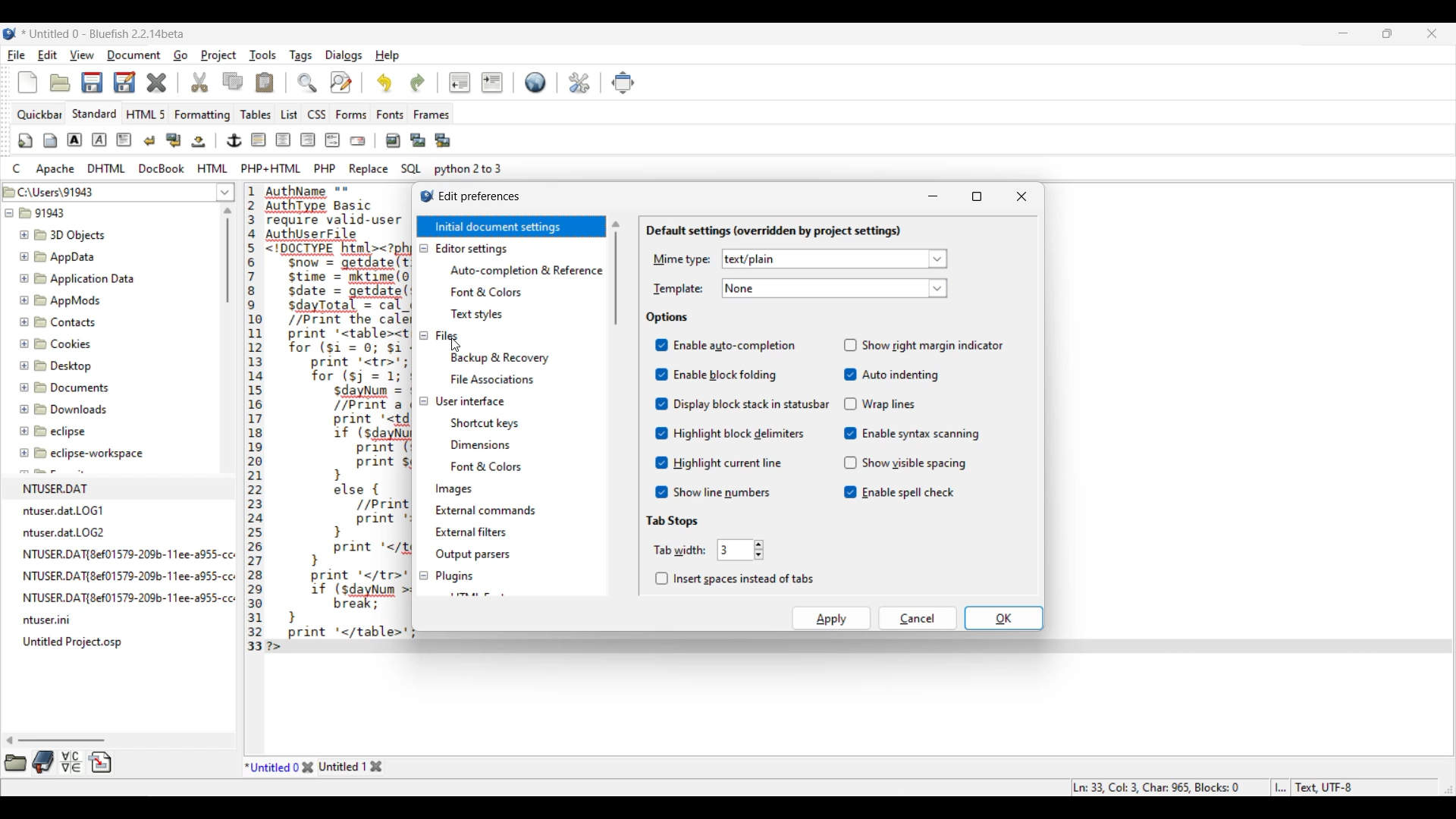 This screenshot has height=819, width=1456. Describe the element at coordinates (918, 618) in the screenshot. I see `Cancel` at that location.